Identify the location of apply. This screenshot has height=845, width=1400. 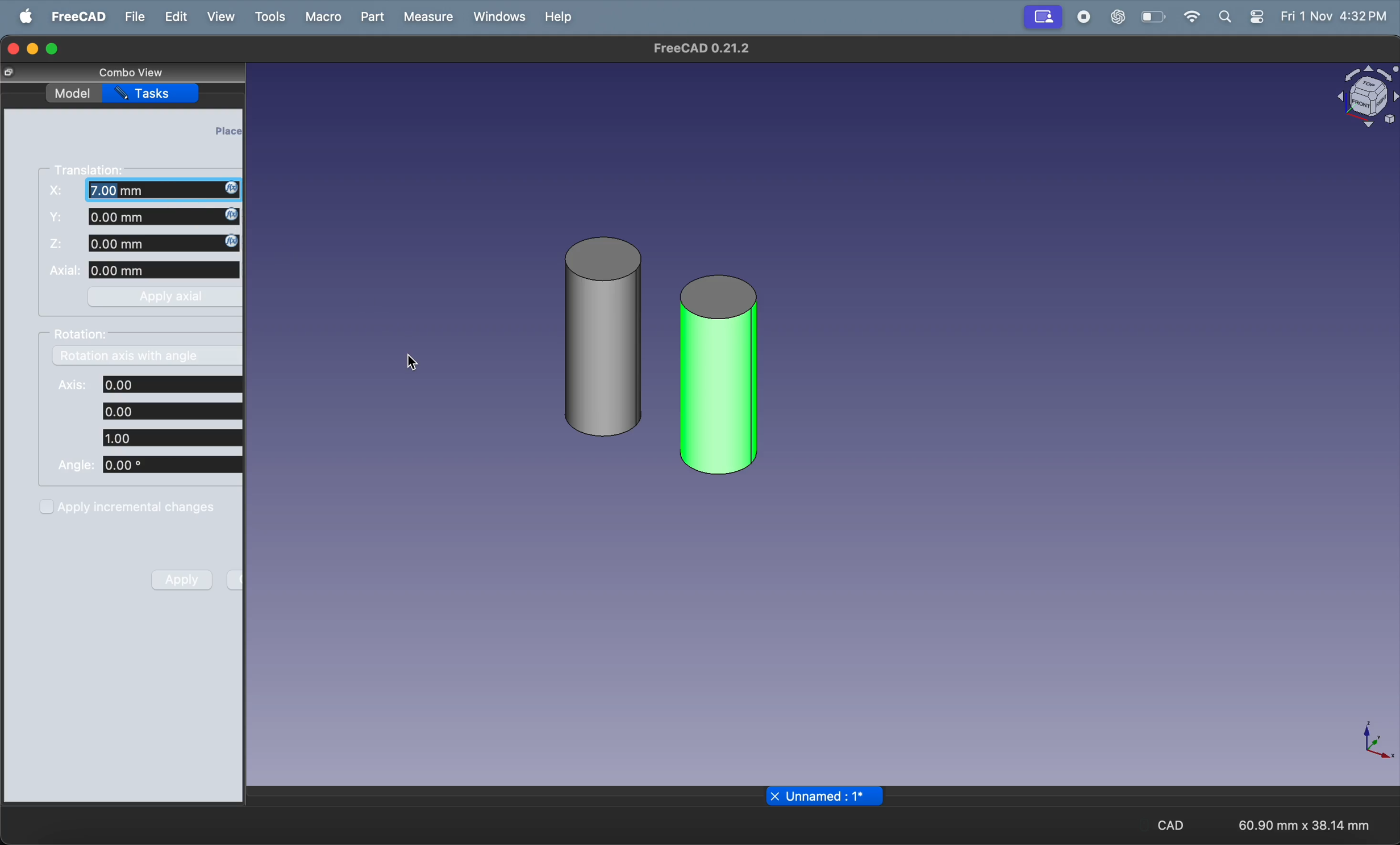
(178, 582).